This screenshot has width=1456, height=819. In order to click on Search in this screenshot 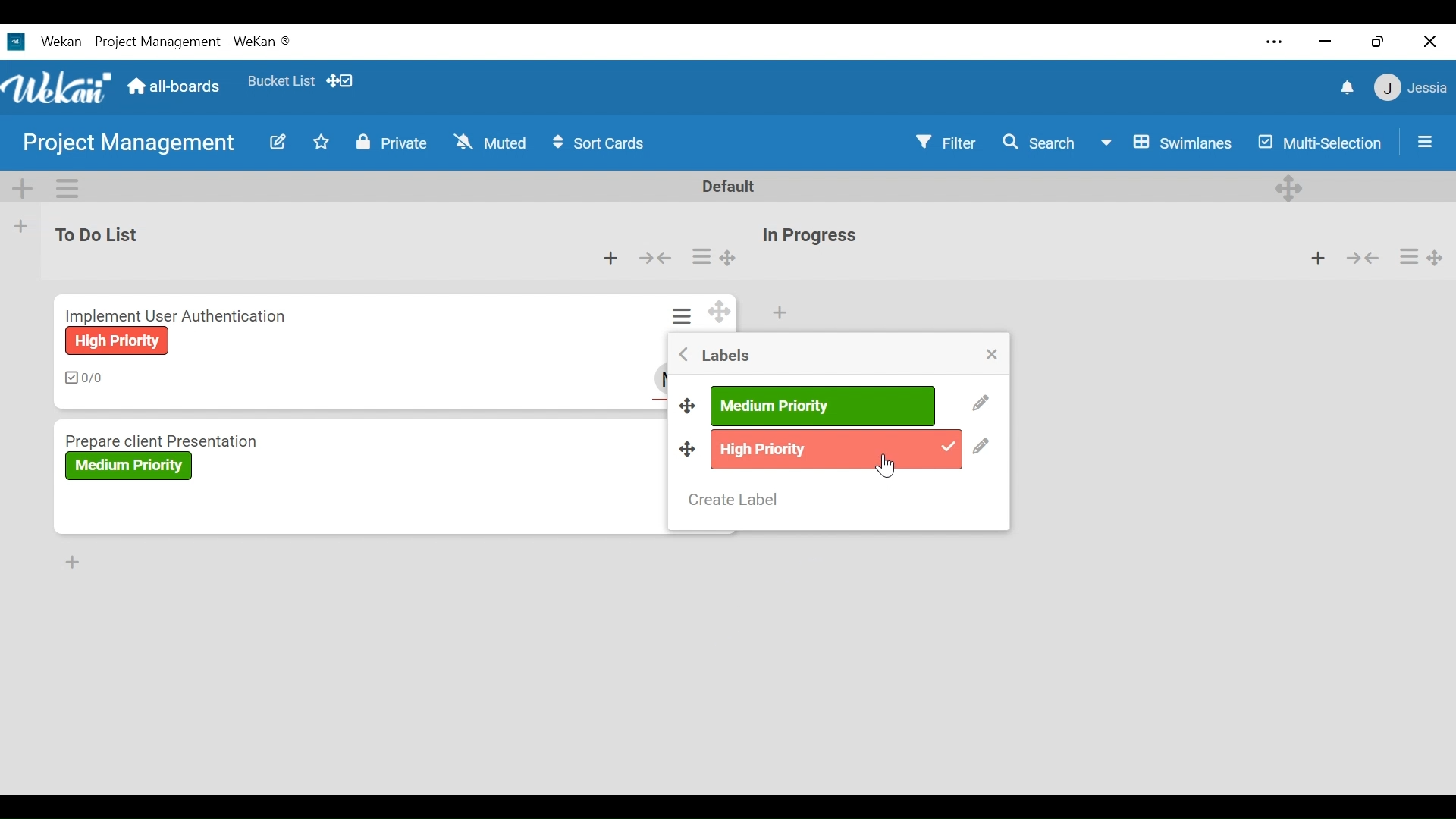, I will do `click(1034, 143)`.